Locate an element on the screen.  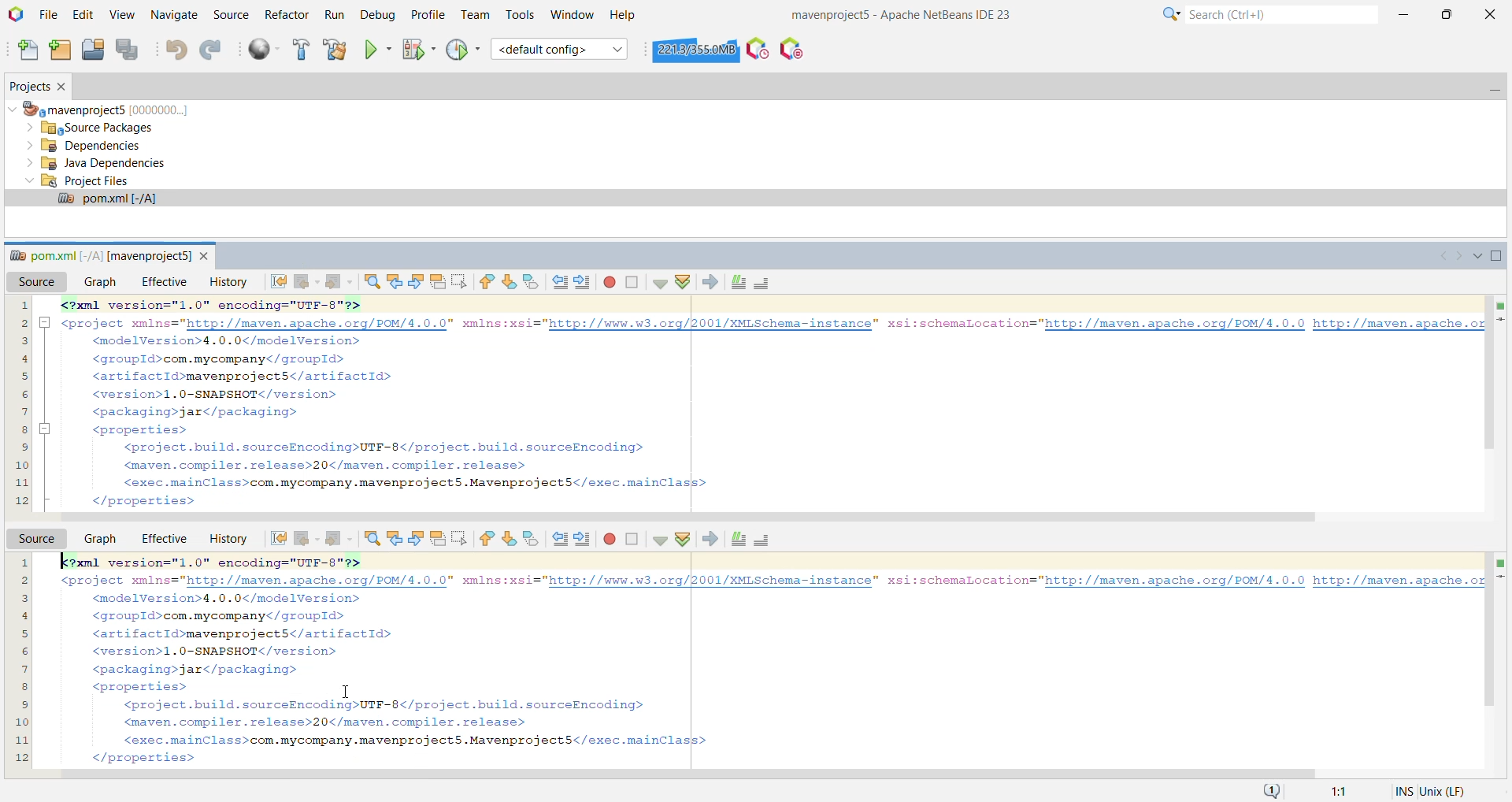
<properties> is located at coordinates (146, 430).